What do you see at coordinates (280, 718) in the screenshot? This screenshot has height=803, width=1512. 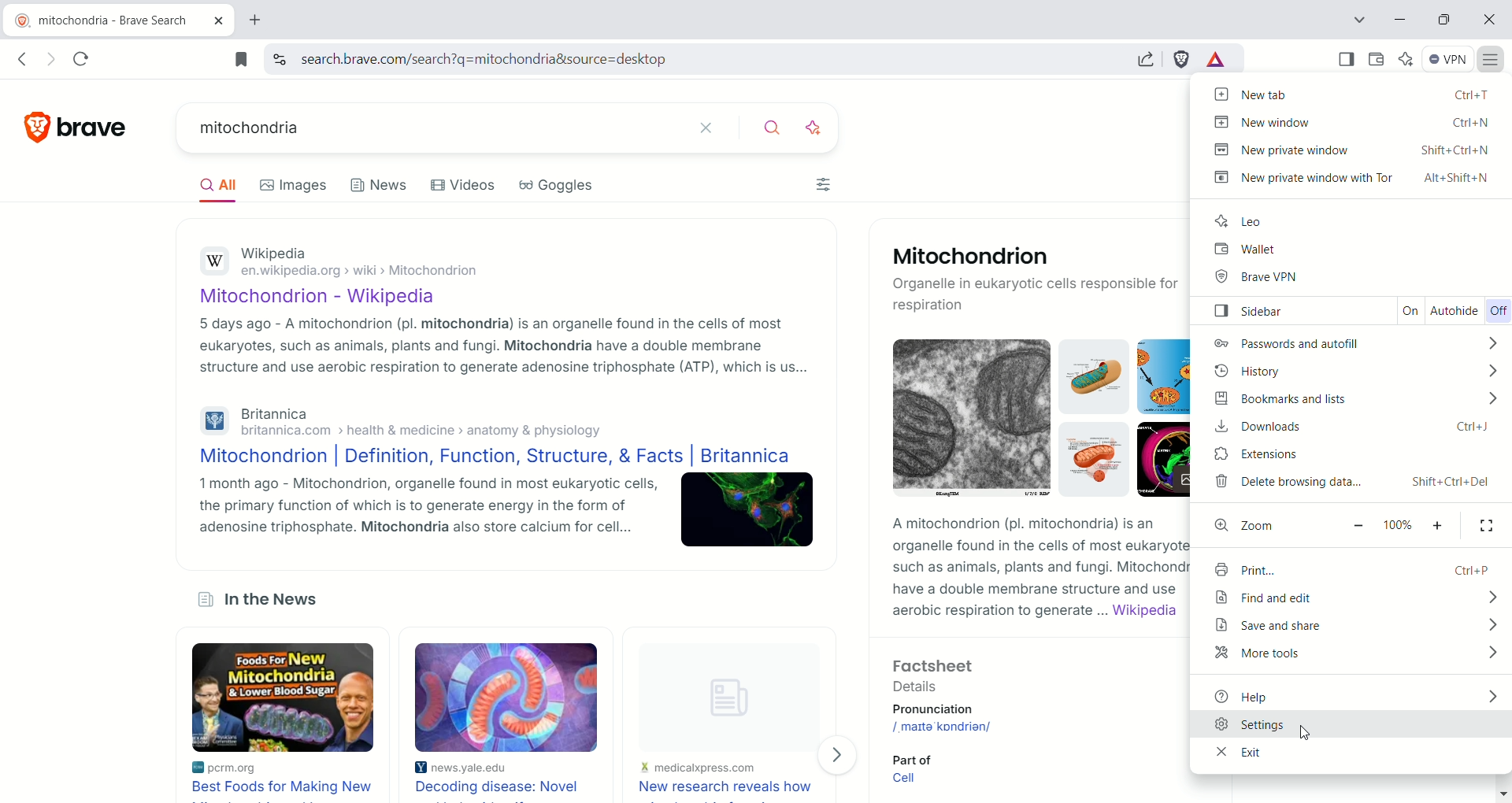 I see `best foods for making new` at bounding box center [280, 718].